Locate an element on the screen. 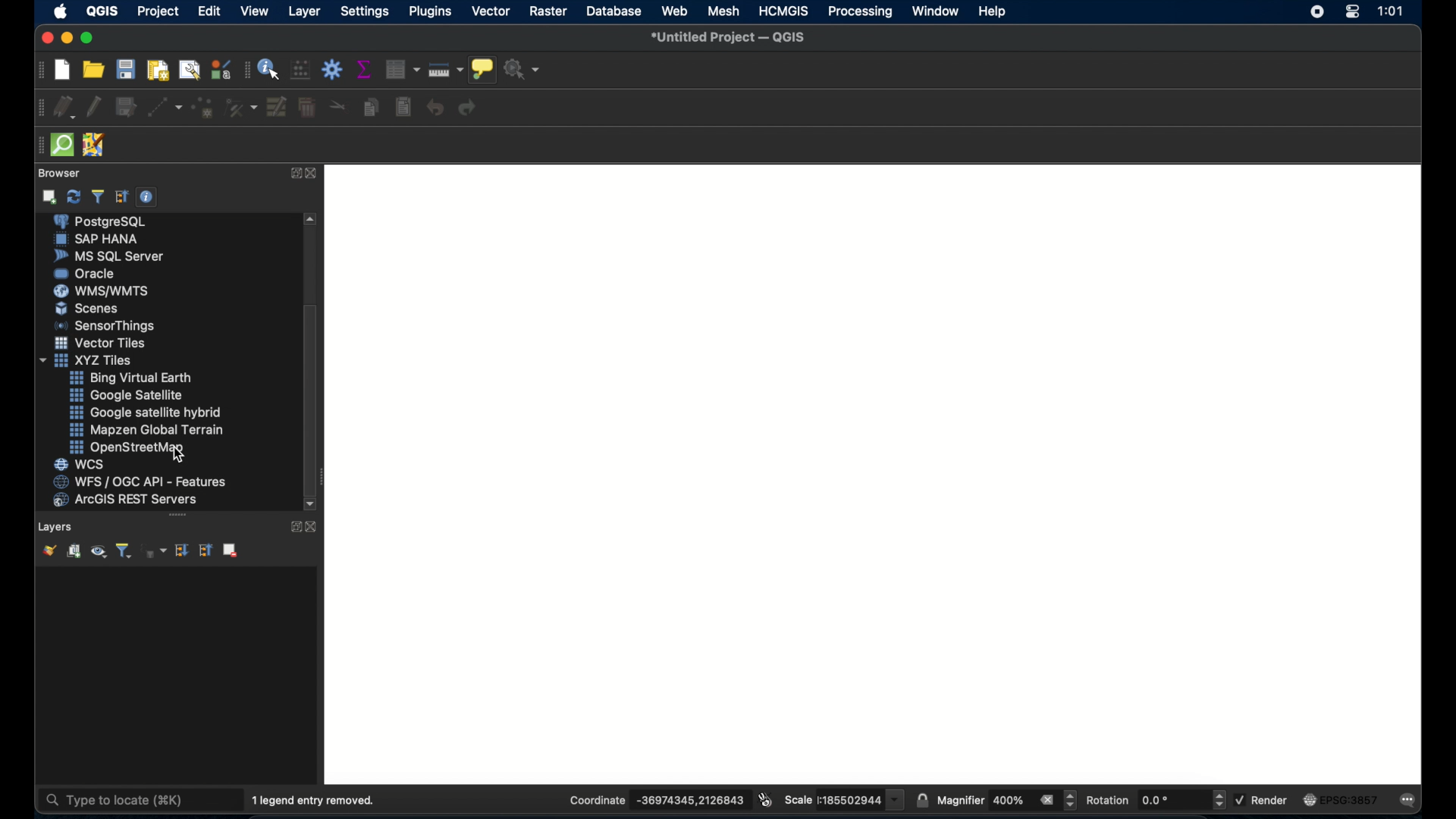 The height and width of the screenshot is (819, 1456). toggle extents and mouse position display is located at coordinates (765, 799).